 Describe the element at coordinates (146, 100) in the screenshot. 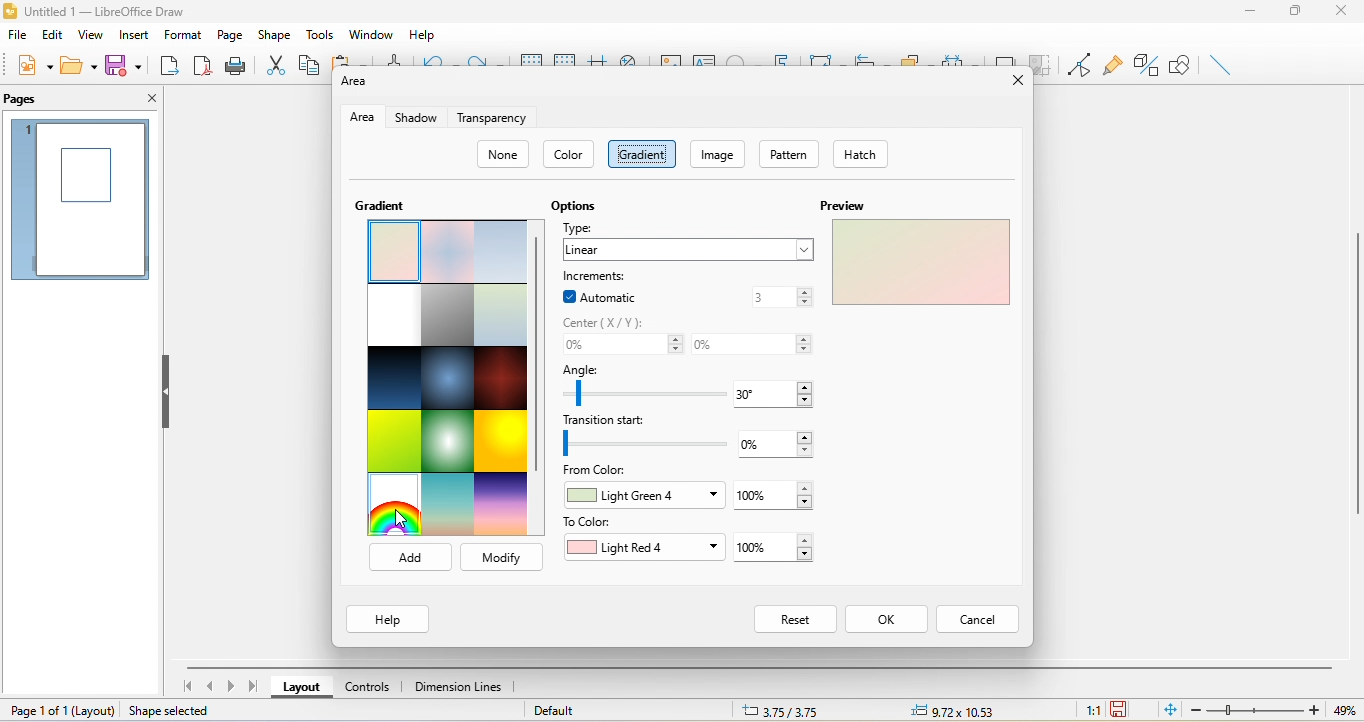

I see `close` at that location.